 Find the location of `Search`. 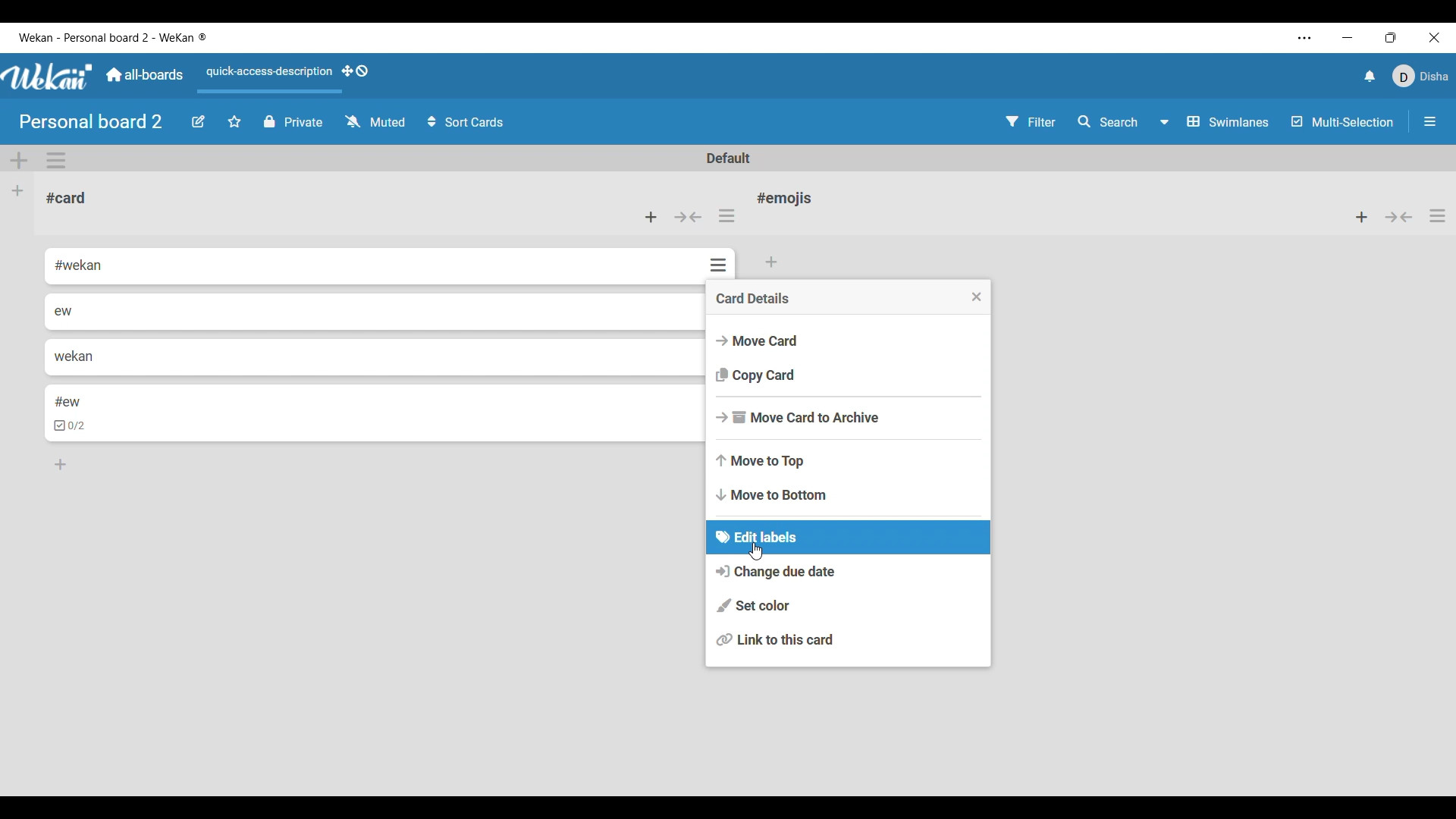

Search is located at coordinates (1106, 121).